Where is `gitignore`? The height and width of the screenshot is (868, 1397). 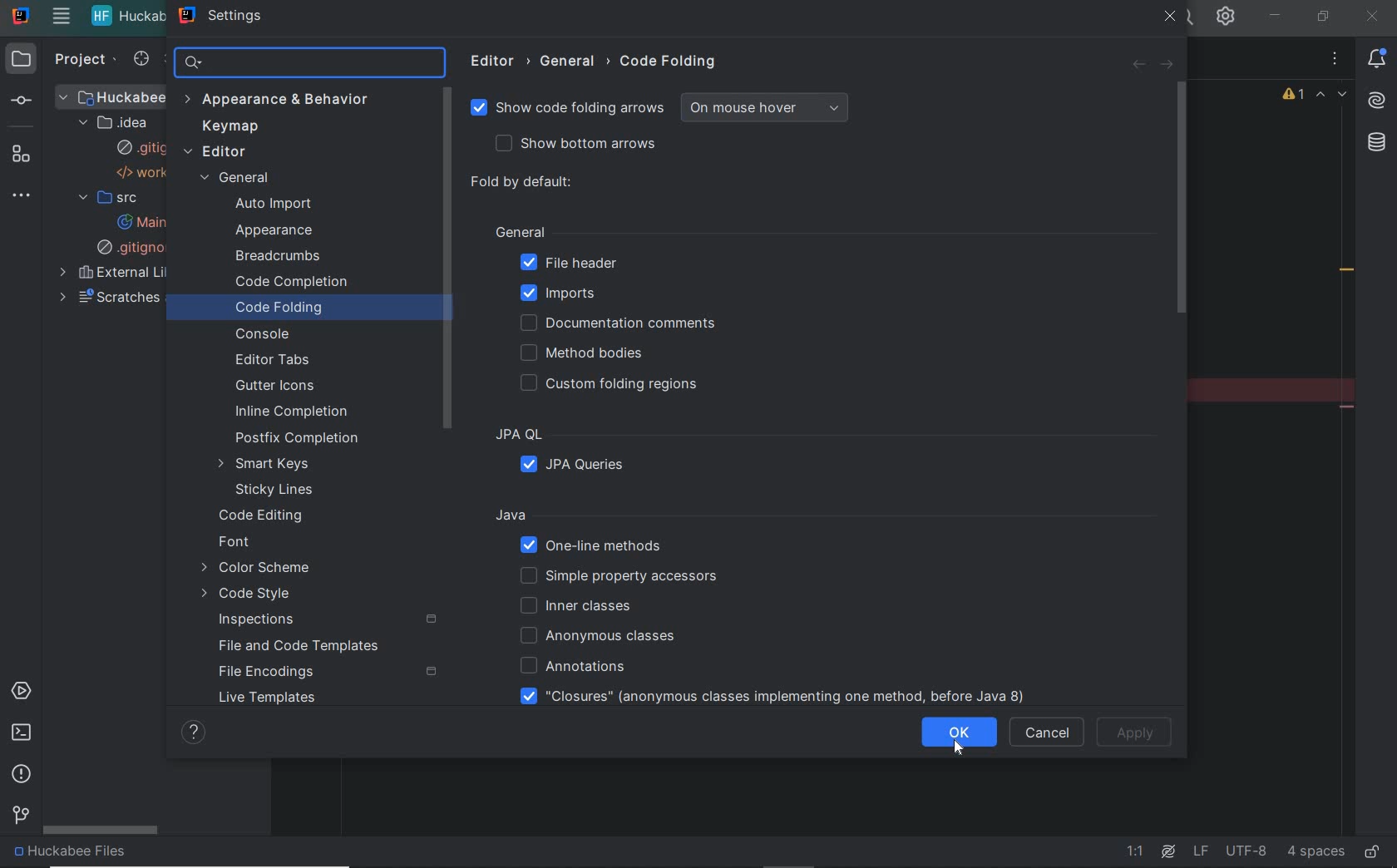
gitignore is located at coordinates (145, 147).